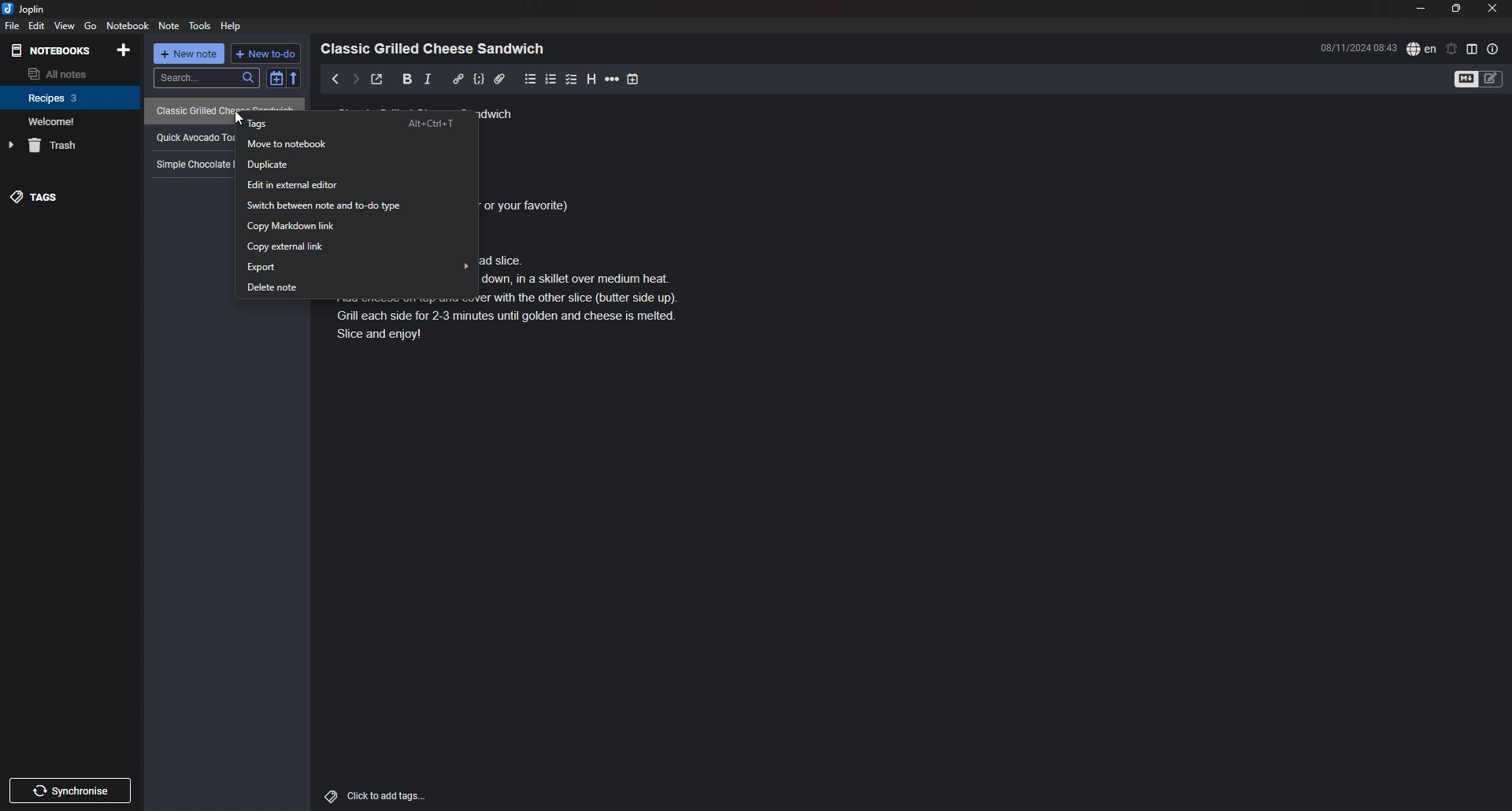  What do you see at coordinates (428, 79) in the screenshot?
I see `italic` at bounding box center [428, 79].